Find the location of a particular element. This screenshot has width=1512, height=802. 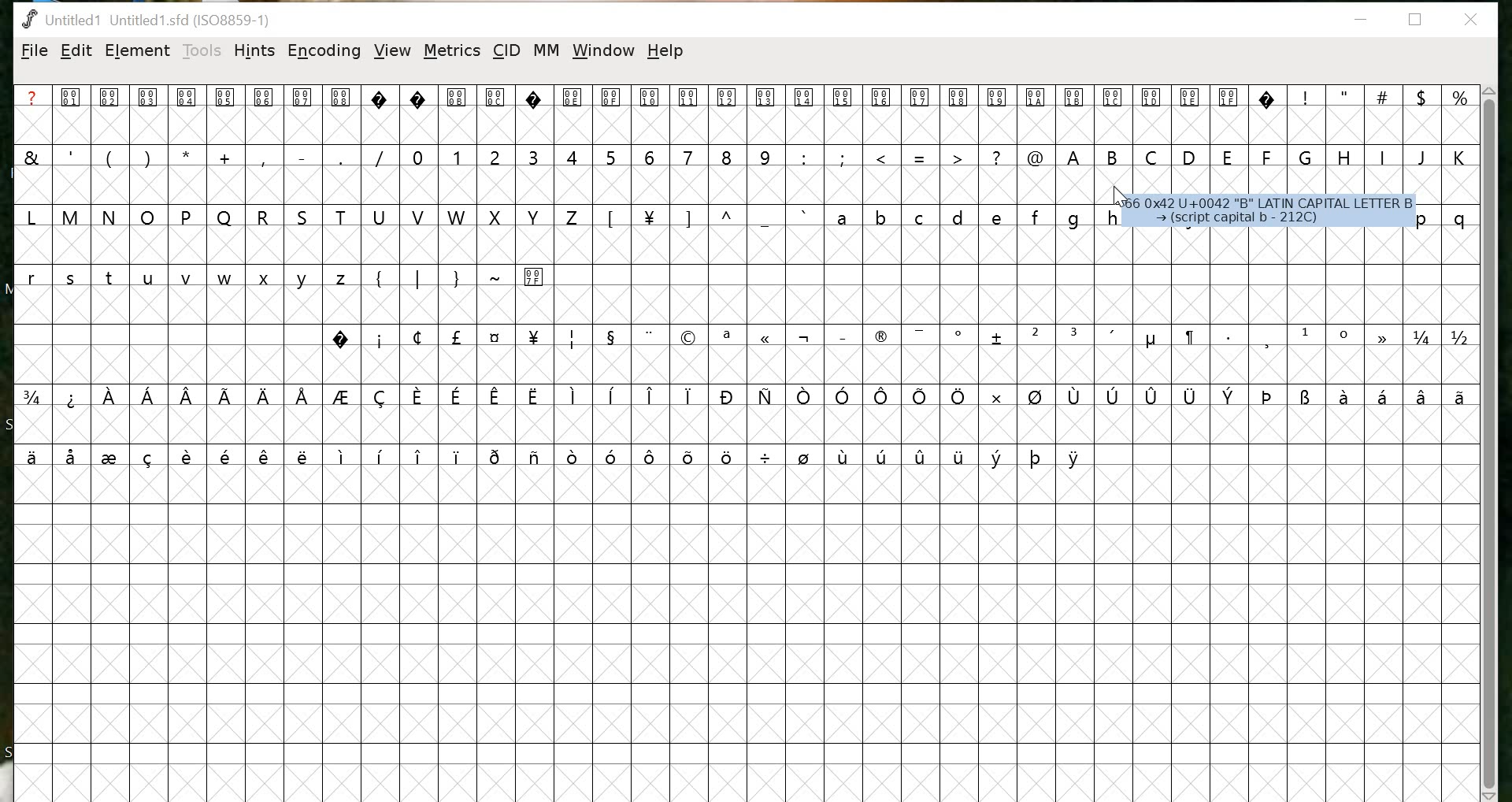

glyphs/black canvas is located at coordinates (743, 440).